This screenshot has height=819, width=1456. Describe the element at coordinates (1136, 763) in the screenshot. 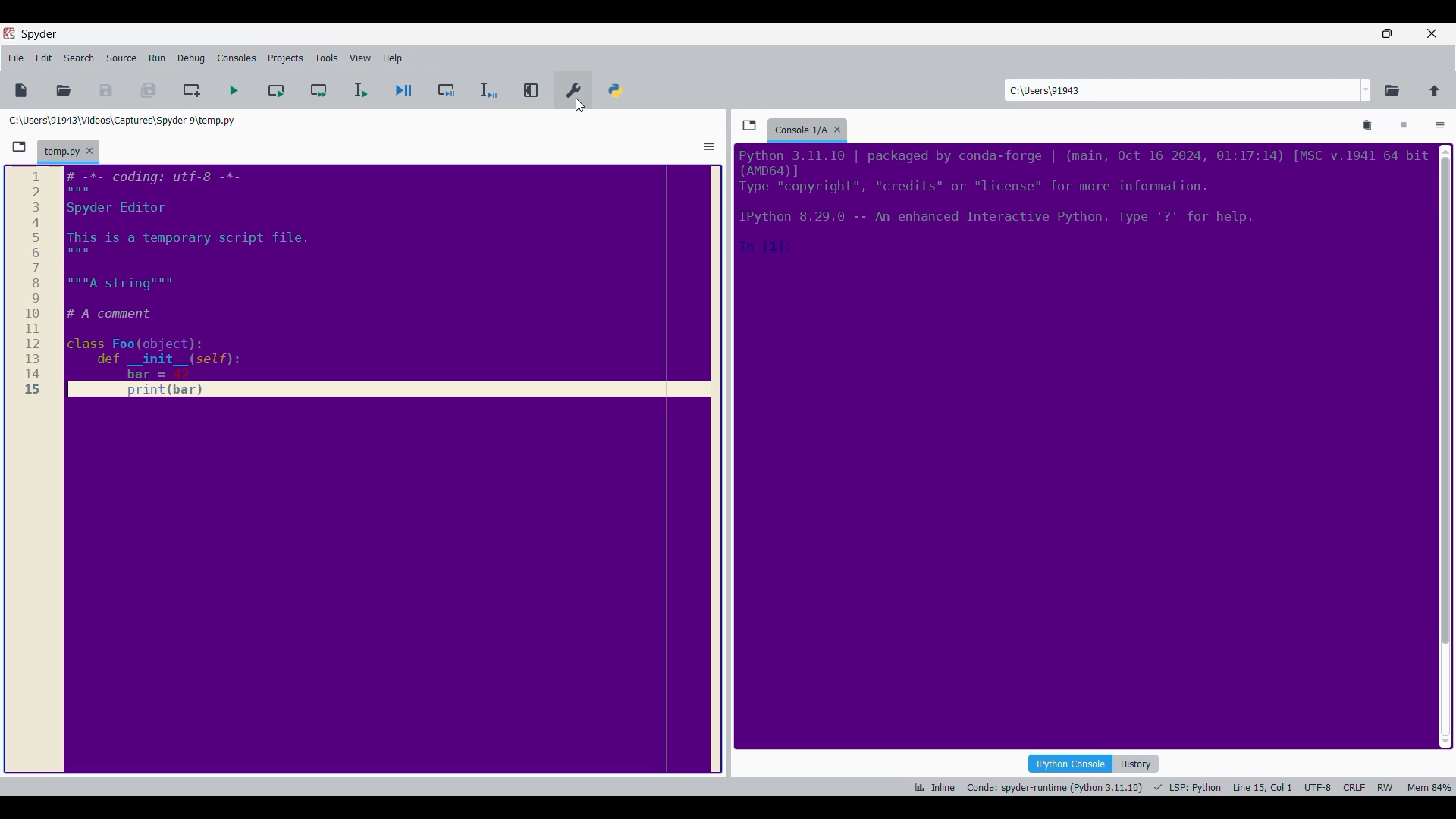

I see `History` at that location.